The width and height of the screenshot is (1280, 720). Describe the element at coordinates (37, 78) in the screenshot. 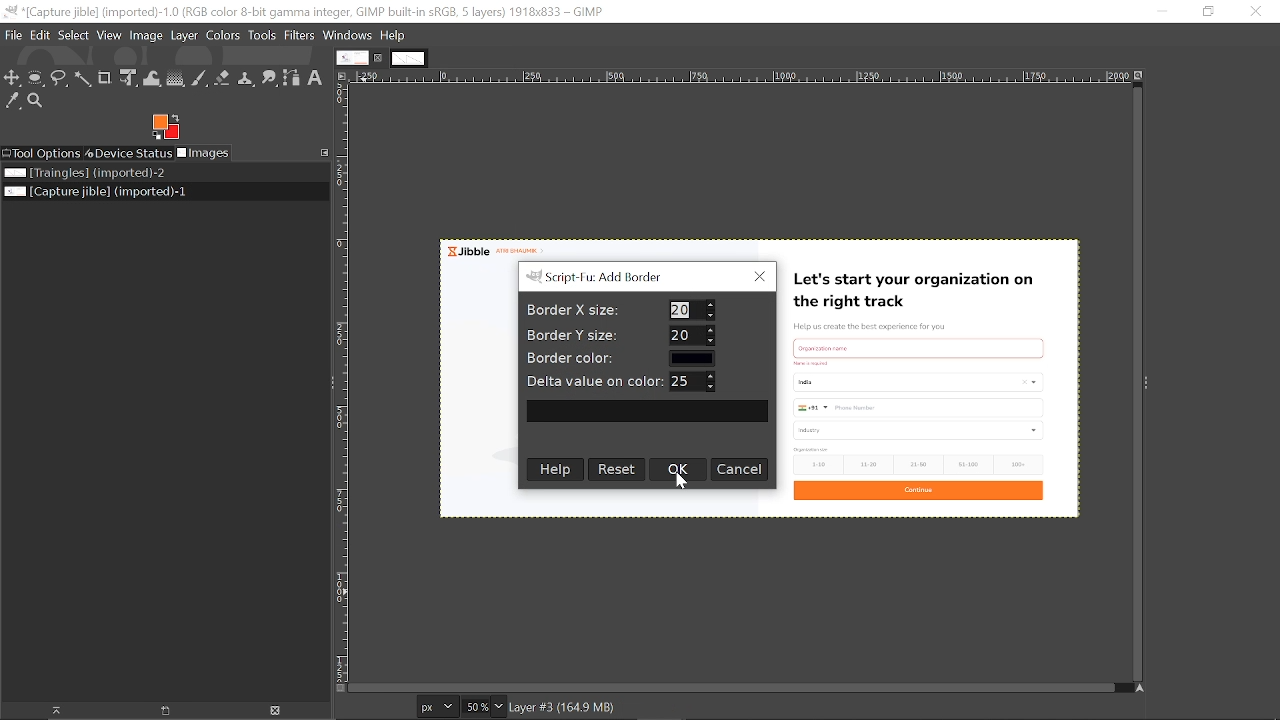

I see `Ellipse select tool` at that location.